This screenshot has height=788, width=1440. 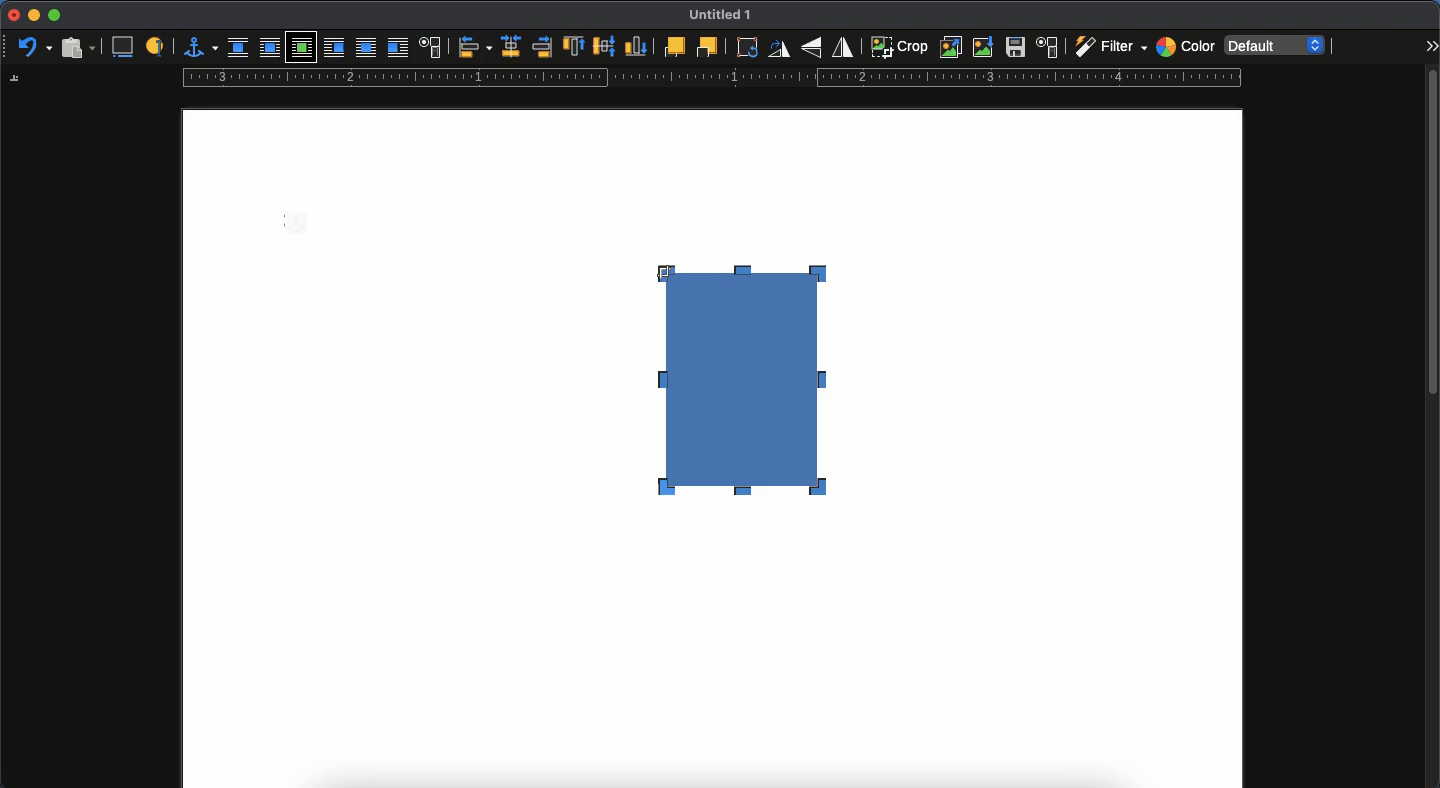 What do you see at coordinates (333, 49) in the screenshot?
I see `before` at bounding box center [333, 49].